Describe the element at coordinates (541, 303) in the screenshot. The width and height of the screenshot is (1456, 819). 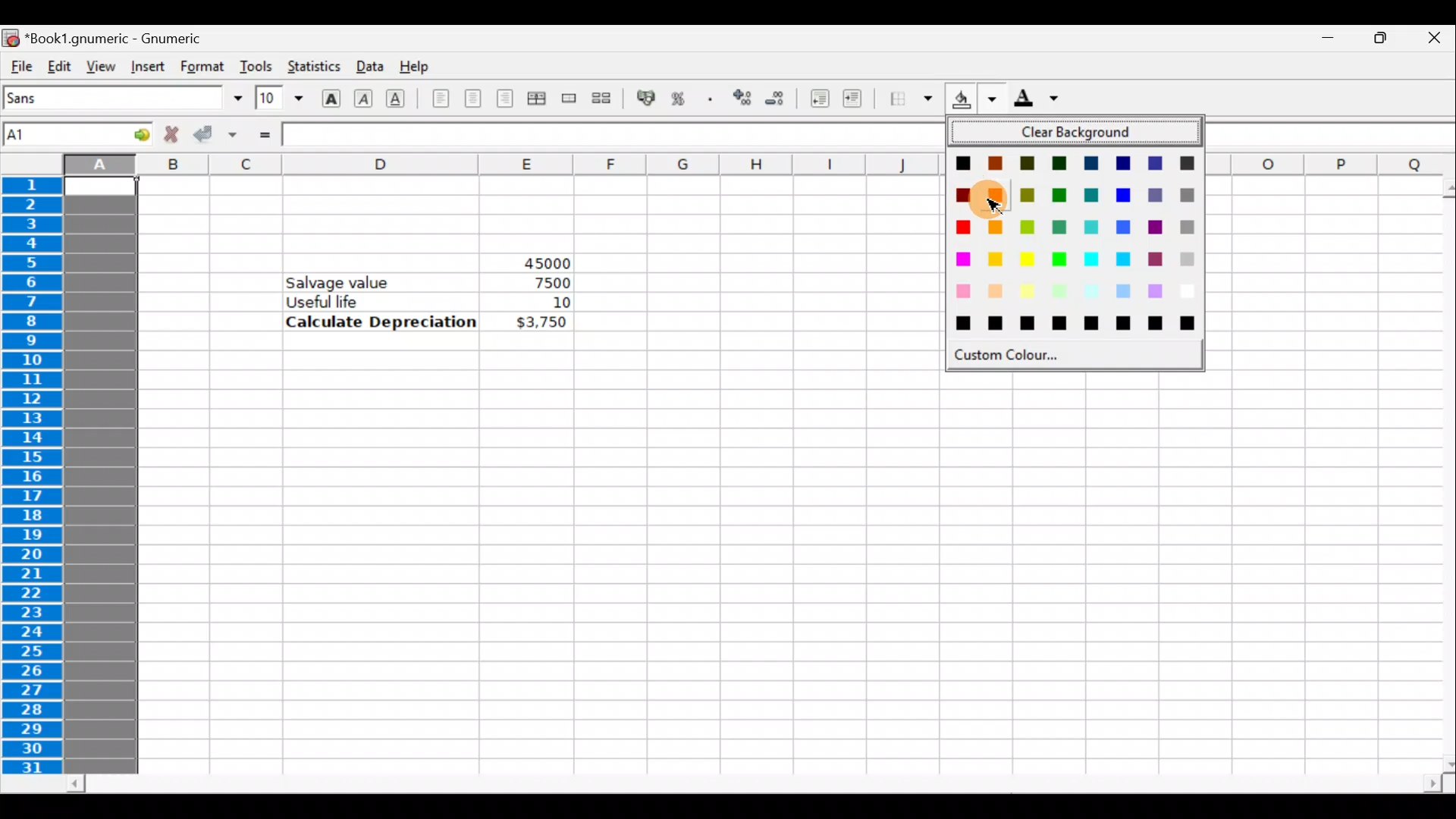
I see `10` at that location.